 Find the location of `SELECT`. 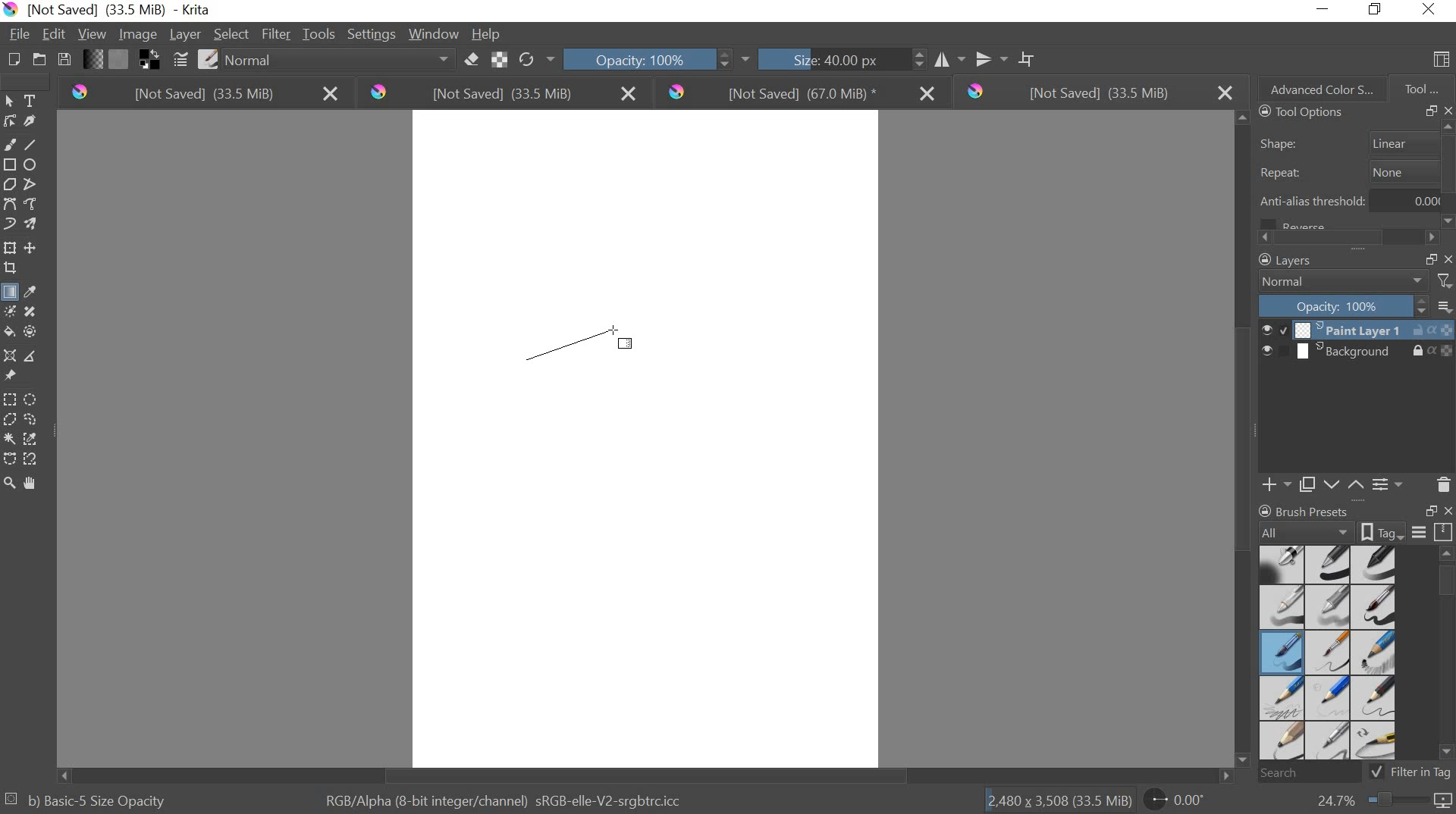

SELECT is located at coordinates (231, 34).